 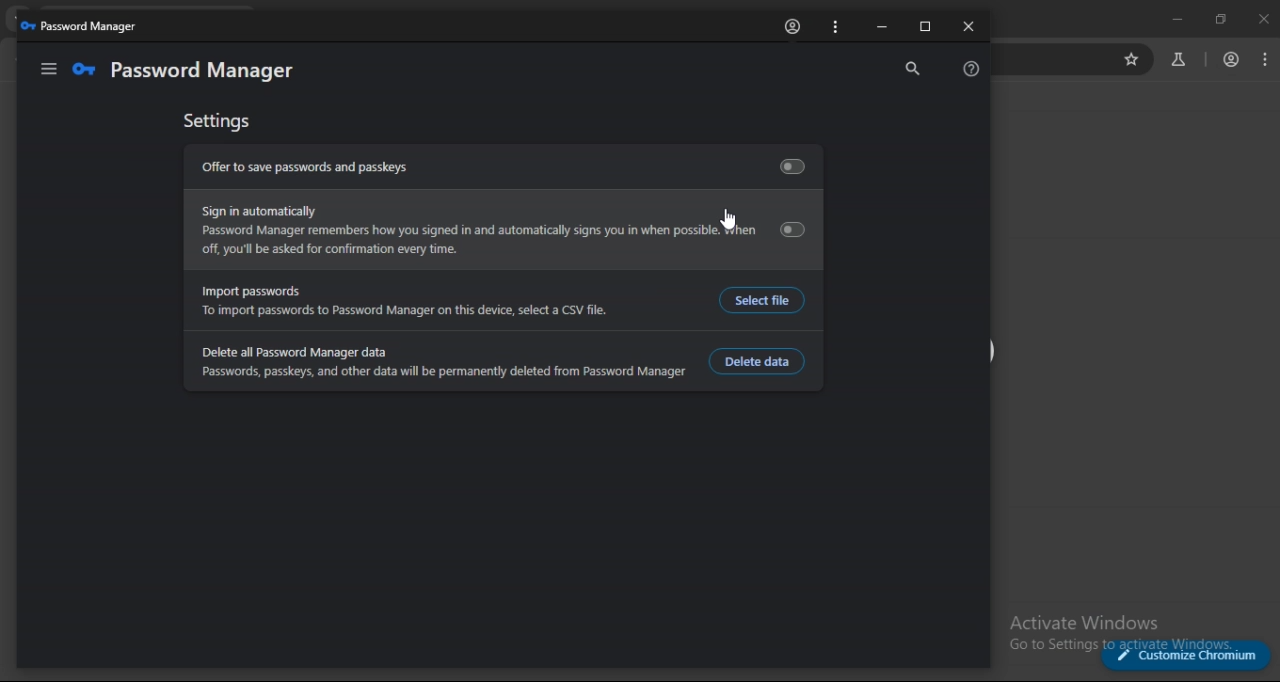 What do you see at coordinates (882, 29) in the screenshot?
I see `minimize` at bounding box center [882, 29].